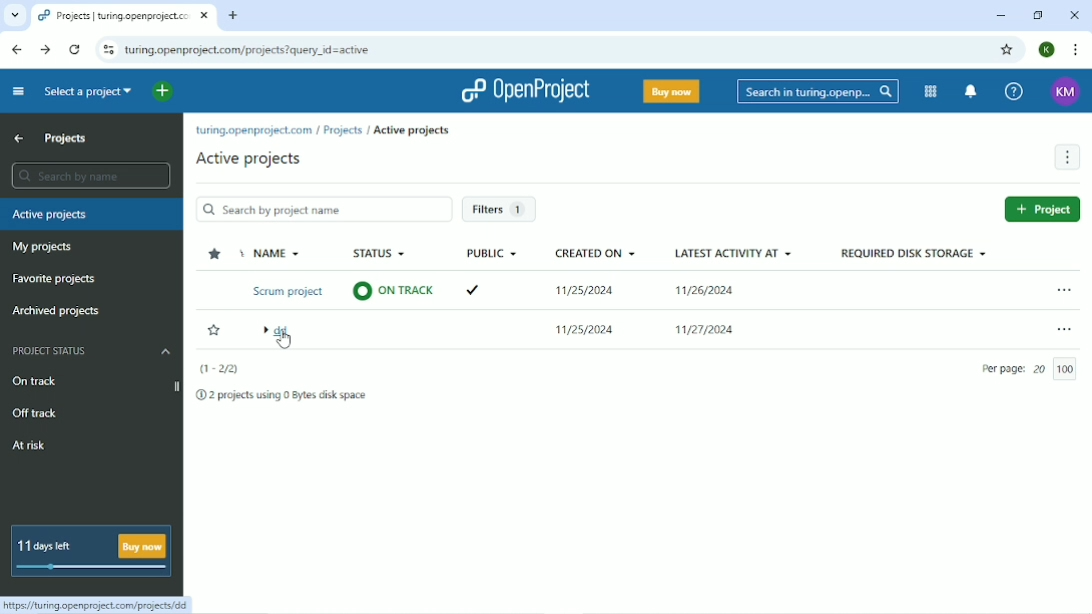 This screenshot has height=614, width=1092. What do you see at coordinates (250, 49) in the screenshot?
I see `Site` at bounding box center [250, 49].